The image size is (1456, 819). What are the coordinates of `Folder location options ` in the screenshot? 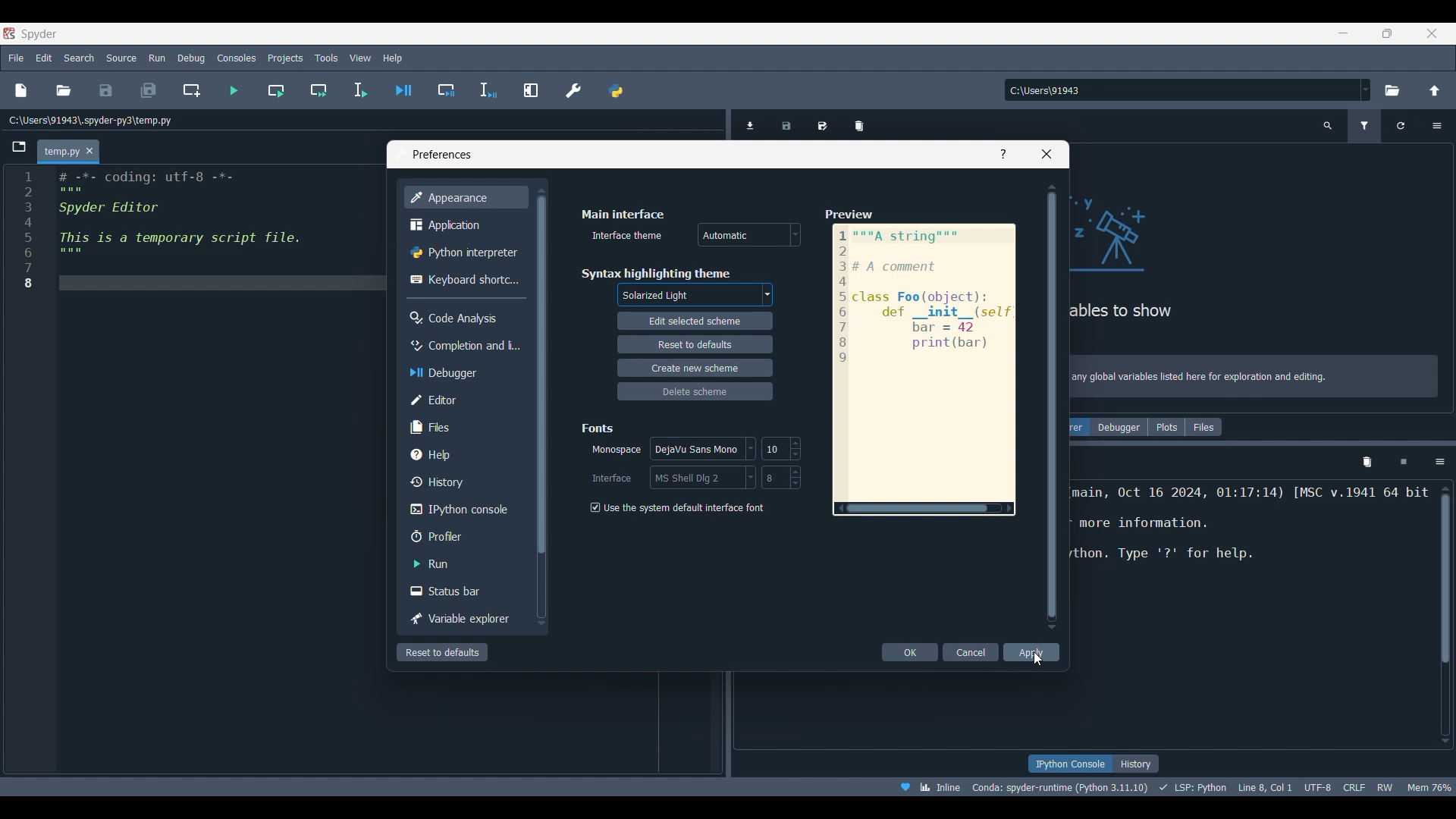 It's located at (1366, 89).